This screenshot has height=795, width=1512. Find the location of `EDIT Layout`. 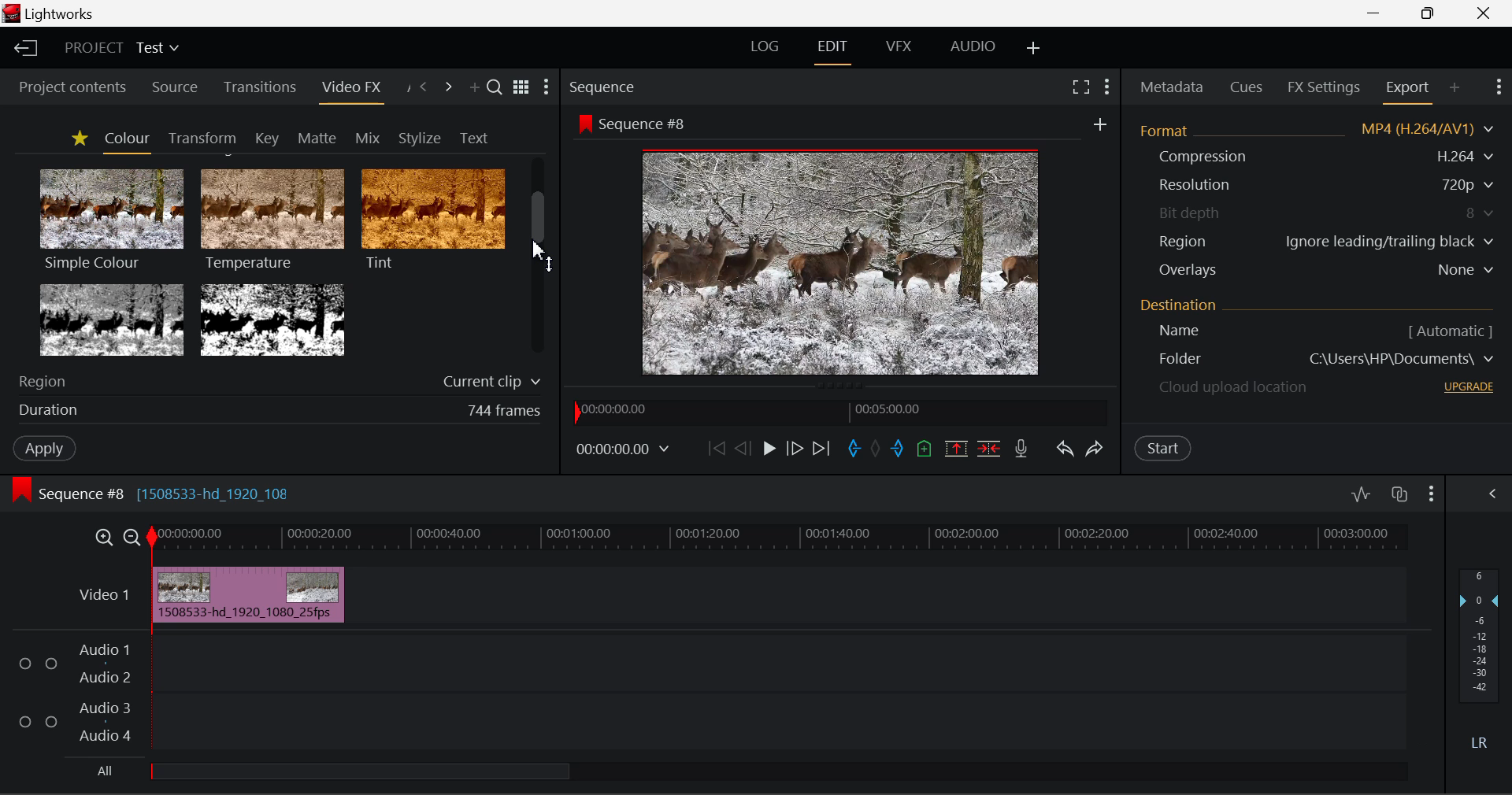

EDIT Layout is located at coordinates (832, 51).